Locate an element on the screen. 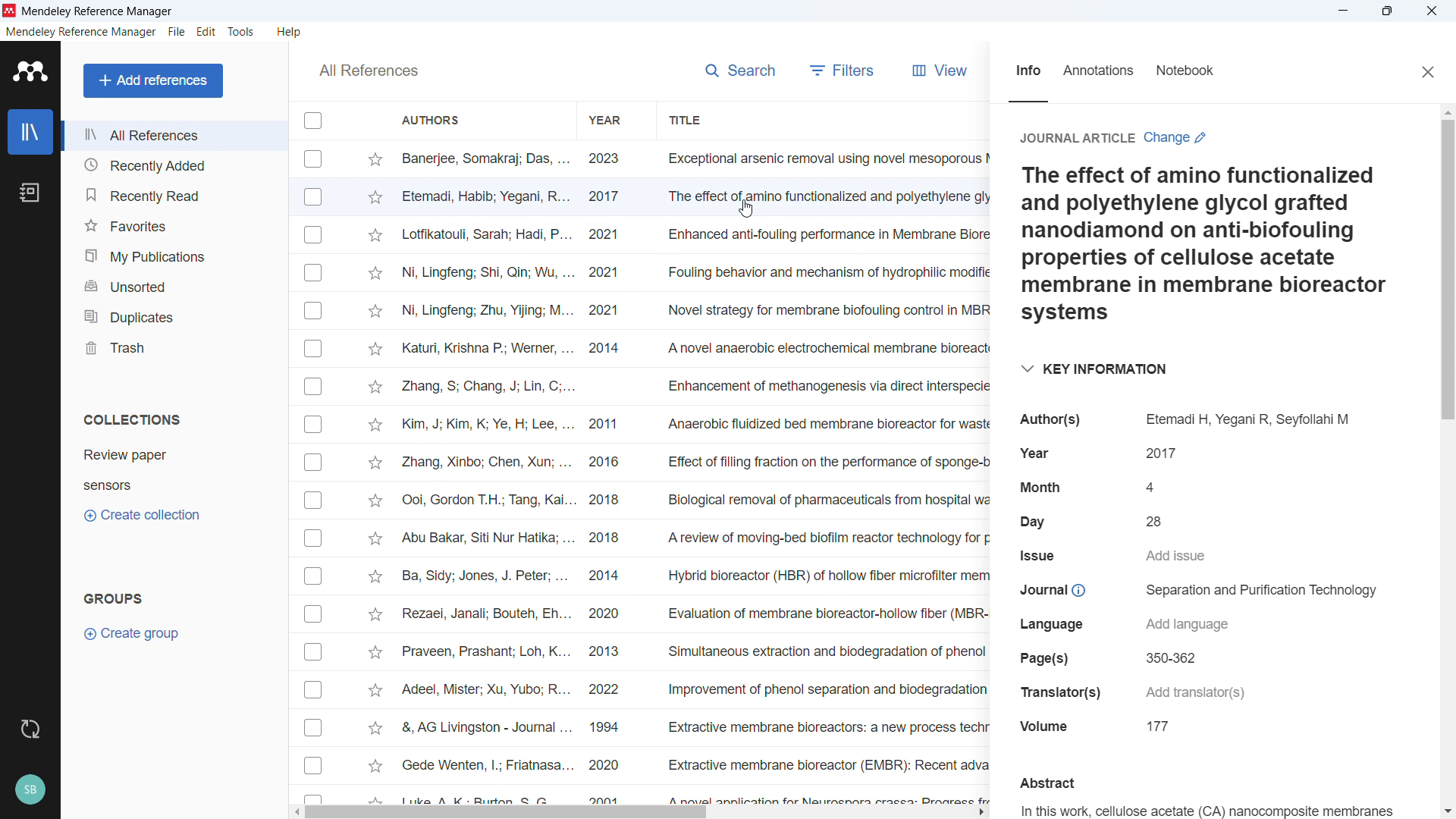 This screenshot has height=819, width=1456. tools is located at coordinates (240, 32).